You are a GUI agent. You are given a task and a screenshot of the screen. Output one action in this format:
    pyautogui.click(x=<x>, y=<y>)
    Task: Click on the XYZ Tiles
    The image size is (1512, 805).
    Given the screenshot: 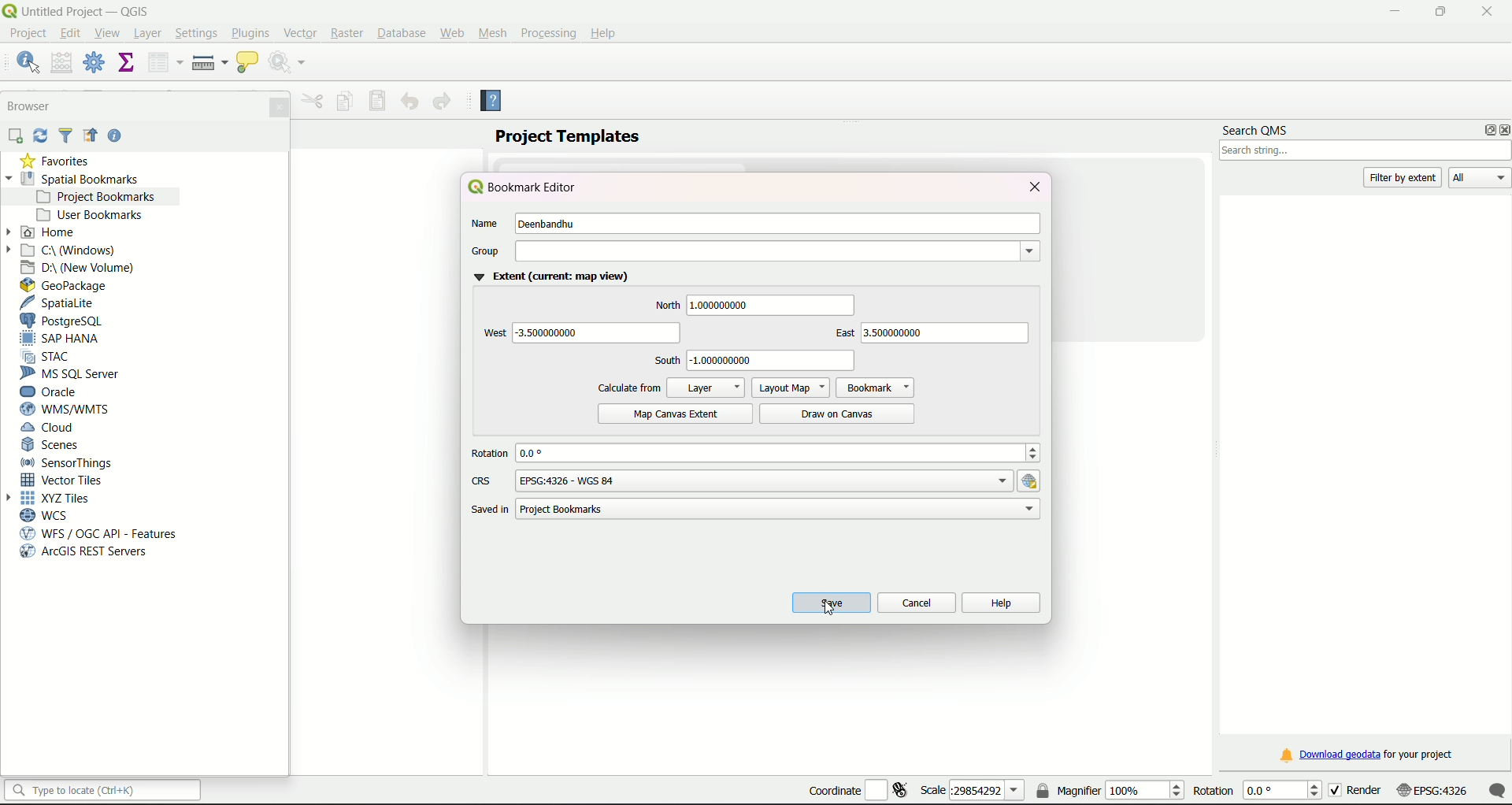 What is the action you would take?
    pyautogui.click(x=55, y=499)
    